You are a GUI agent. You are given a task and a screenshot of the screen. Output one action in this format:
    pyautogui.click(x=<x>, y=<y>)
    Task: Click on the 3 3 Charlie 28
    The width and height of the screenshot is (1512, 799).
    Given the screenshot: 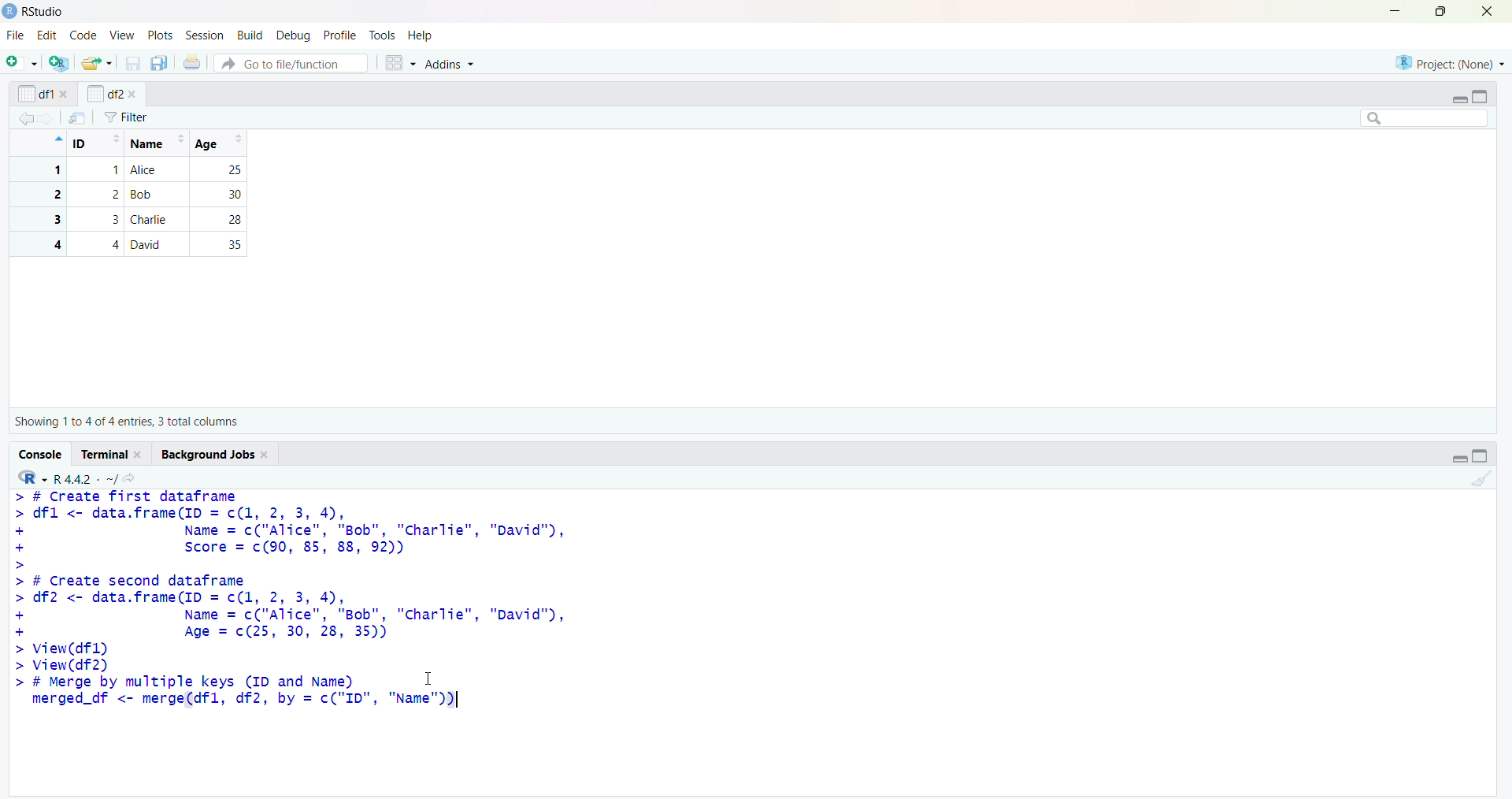 What is the action you would take?
    pyautogui.click(x=135, y=219)
    